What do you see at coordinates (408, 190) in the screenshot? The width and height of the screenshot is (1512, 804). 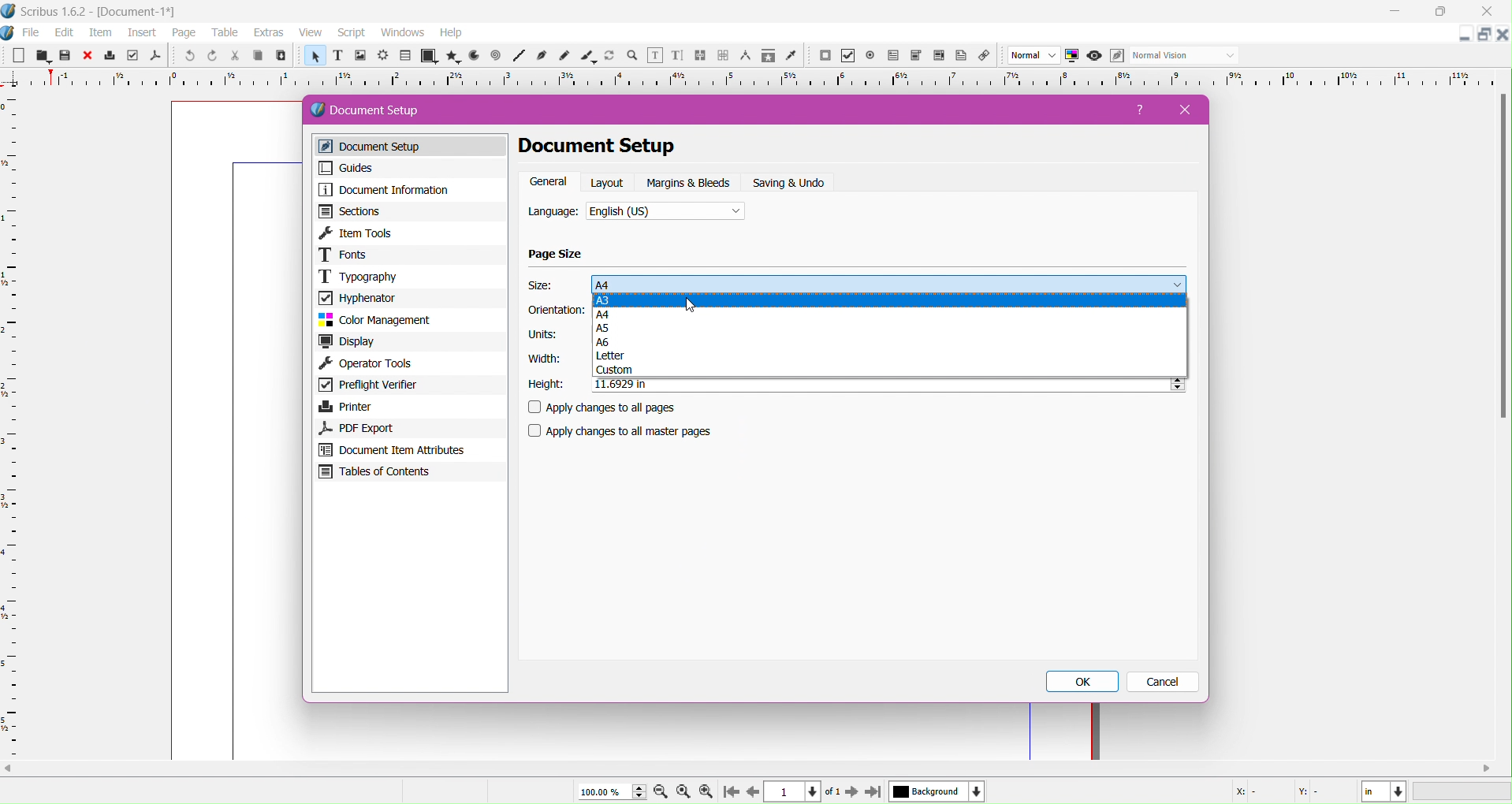 I see `Document Information` at bounding box center [408, 190].